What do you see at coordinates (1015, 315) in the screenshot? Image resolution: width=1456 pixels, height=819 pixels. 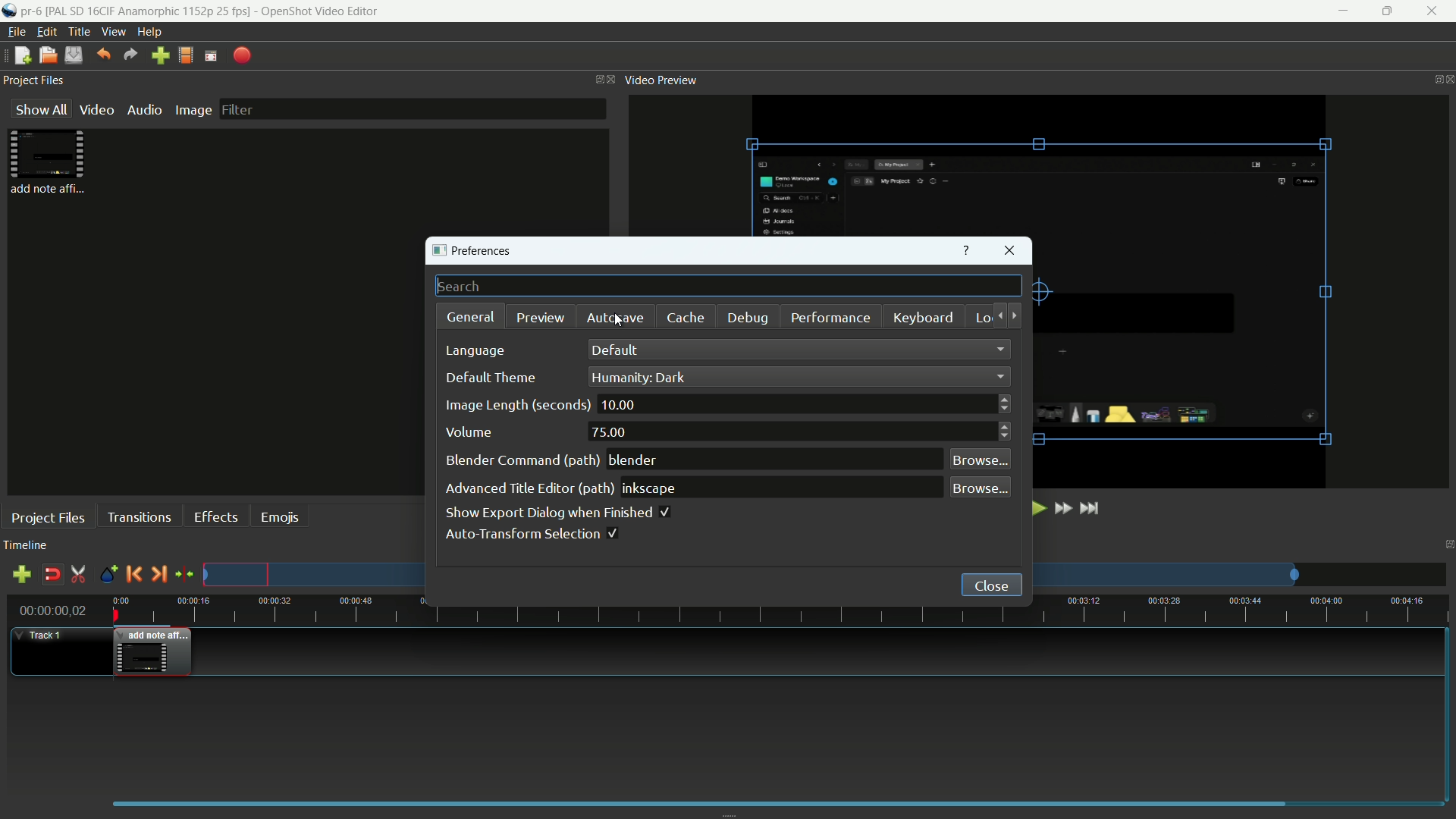 I see `move forward` at bounding box center [1015, 315].